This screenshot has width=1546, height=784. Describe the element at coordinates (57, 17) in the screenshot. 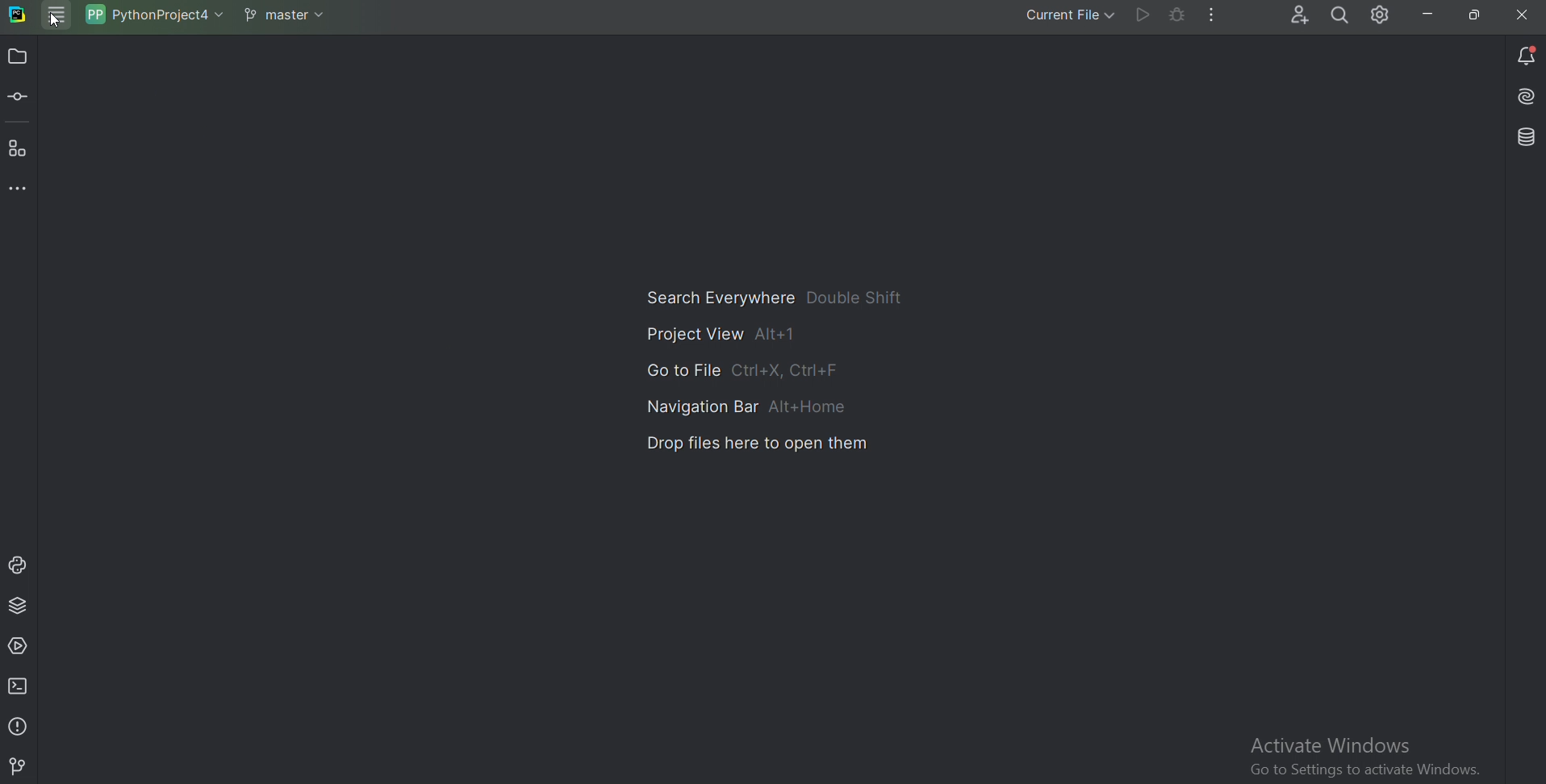

I see `Main menu` at that location.